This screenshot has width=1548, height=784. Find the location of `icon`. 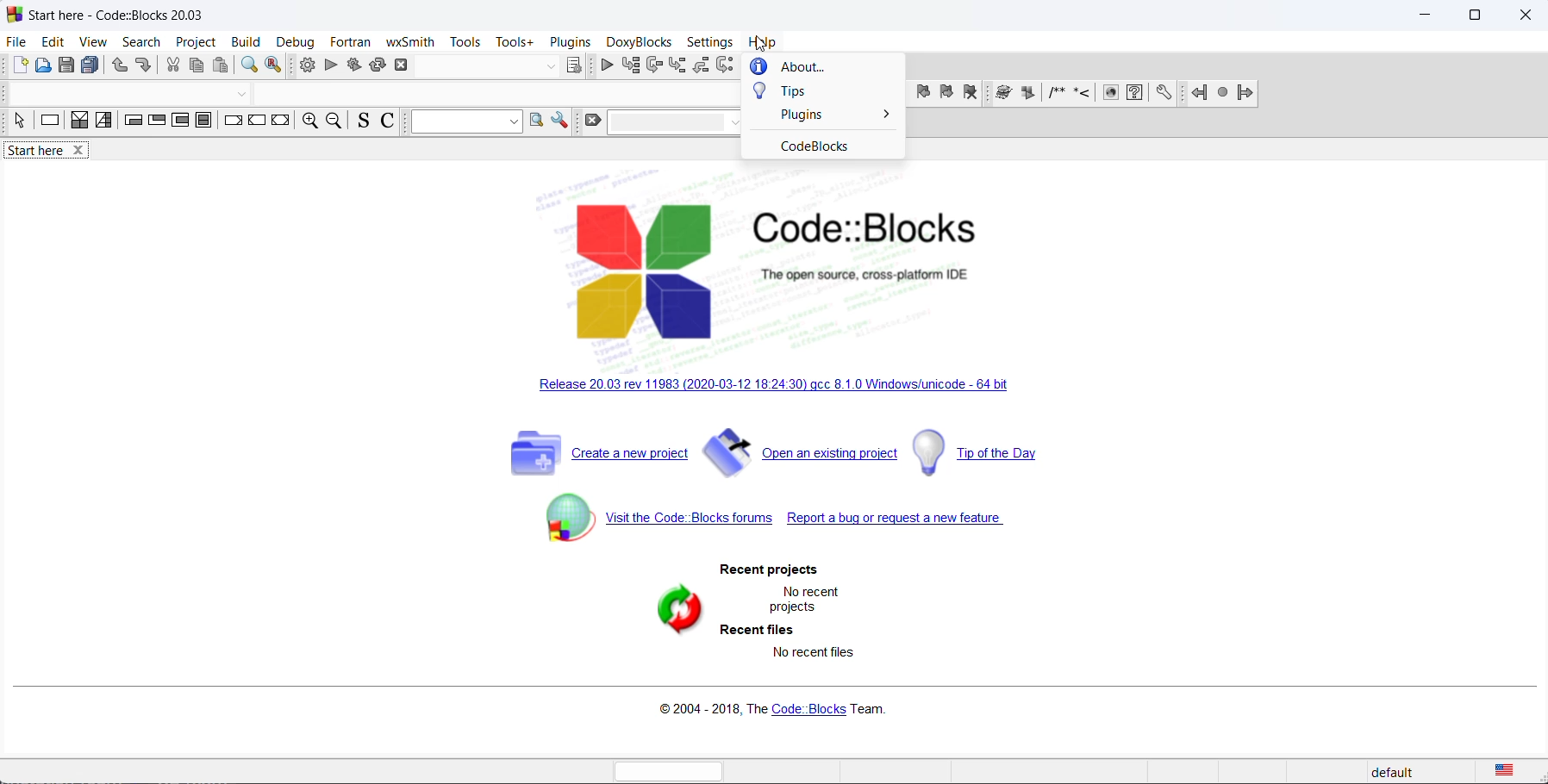

icon is located at coordinates (1030, 95).